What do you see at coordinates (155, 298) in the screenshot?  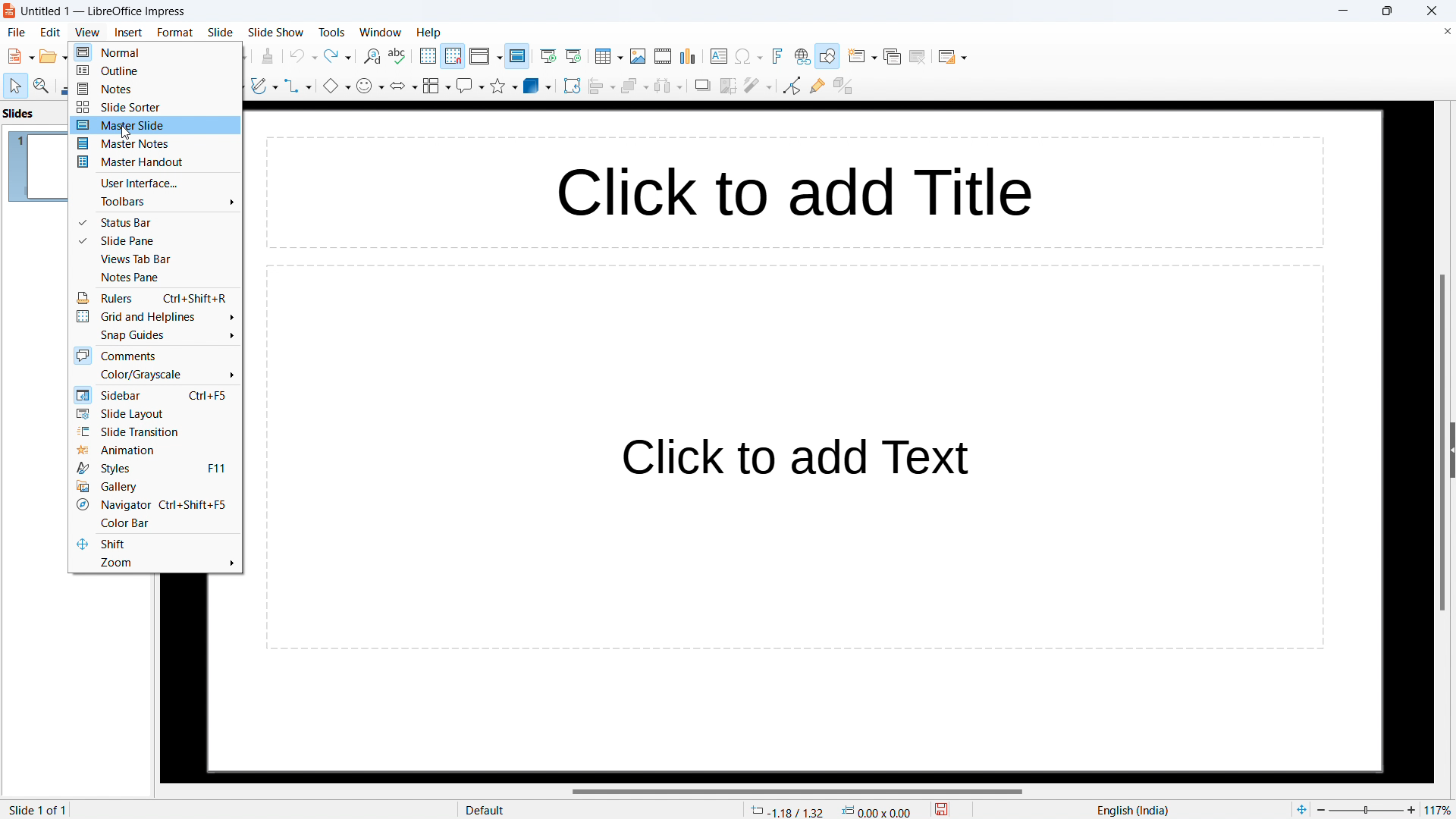 I see `rulers` at bounding box center [155, 298].